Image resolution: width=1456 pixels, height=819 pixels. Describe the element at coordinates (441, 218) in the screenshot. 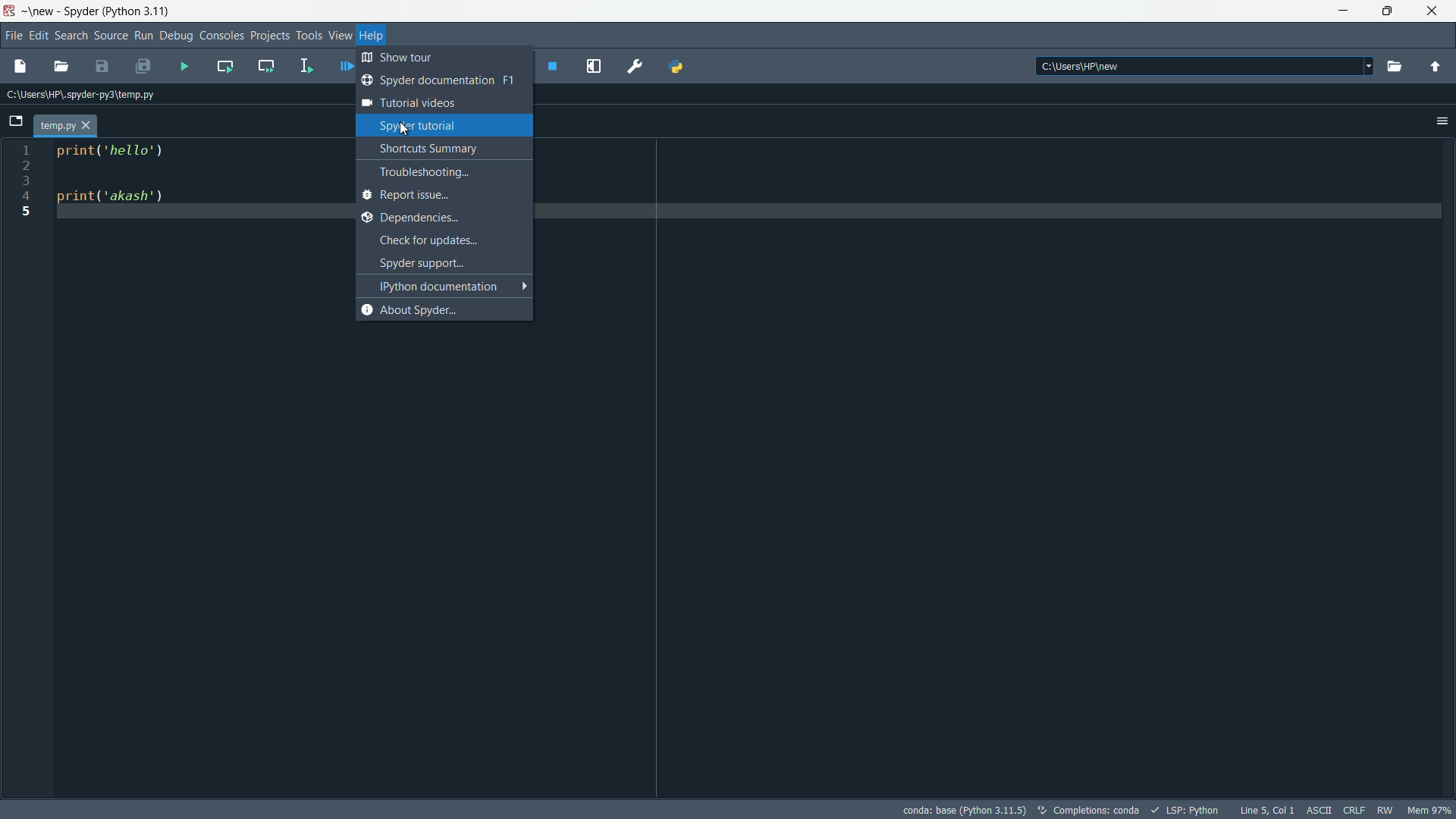

I see `dependencies` at that location.